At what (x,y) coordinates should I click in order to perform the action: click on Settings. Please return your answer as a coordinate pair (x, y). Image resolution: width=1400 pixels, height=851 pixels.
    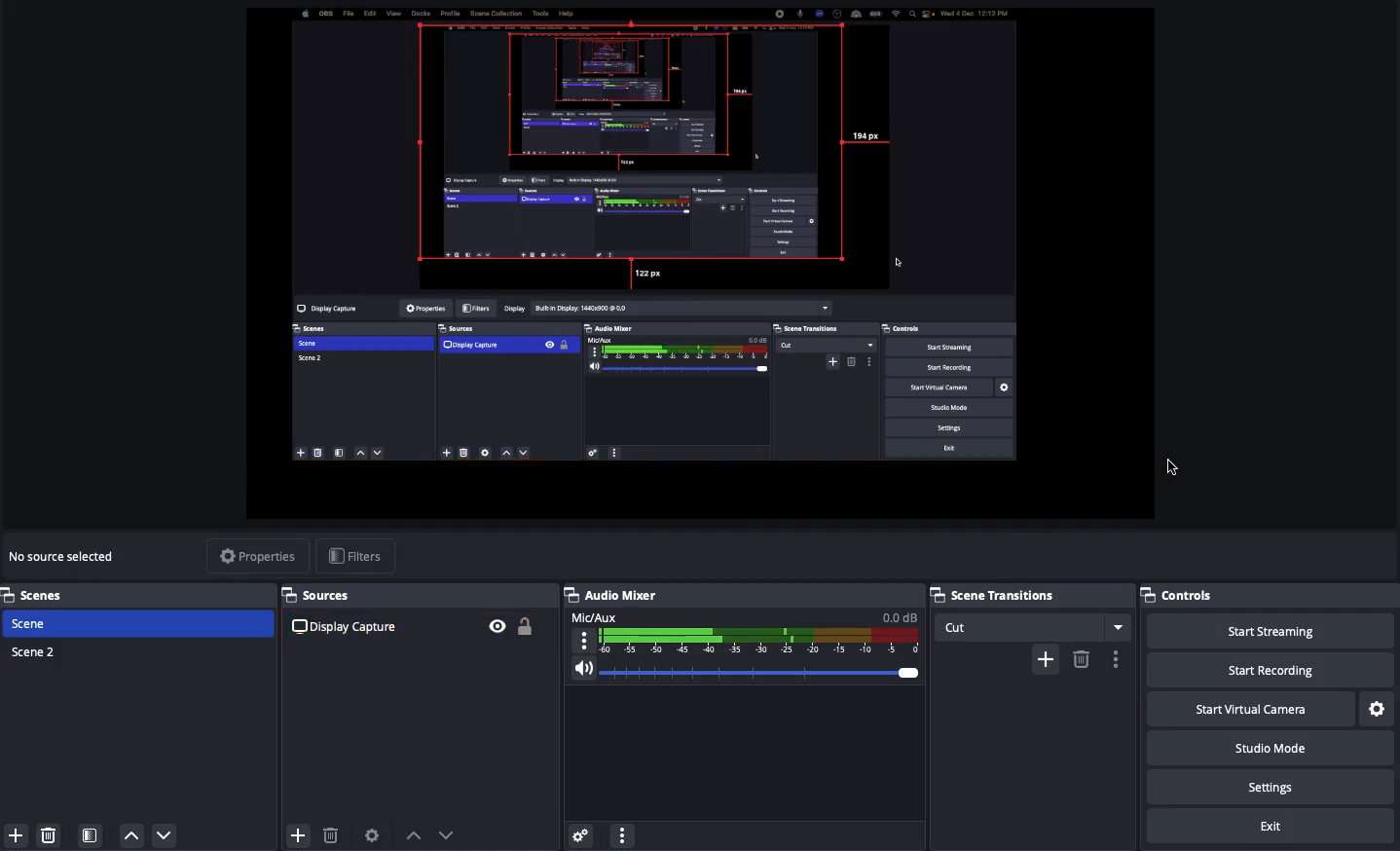
    Looking at the image, I should click on (1282, 787).